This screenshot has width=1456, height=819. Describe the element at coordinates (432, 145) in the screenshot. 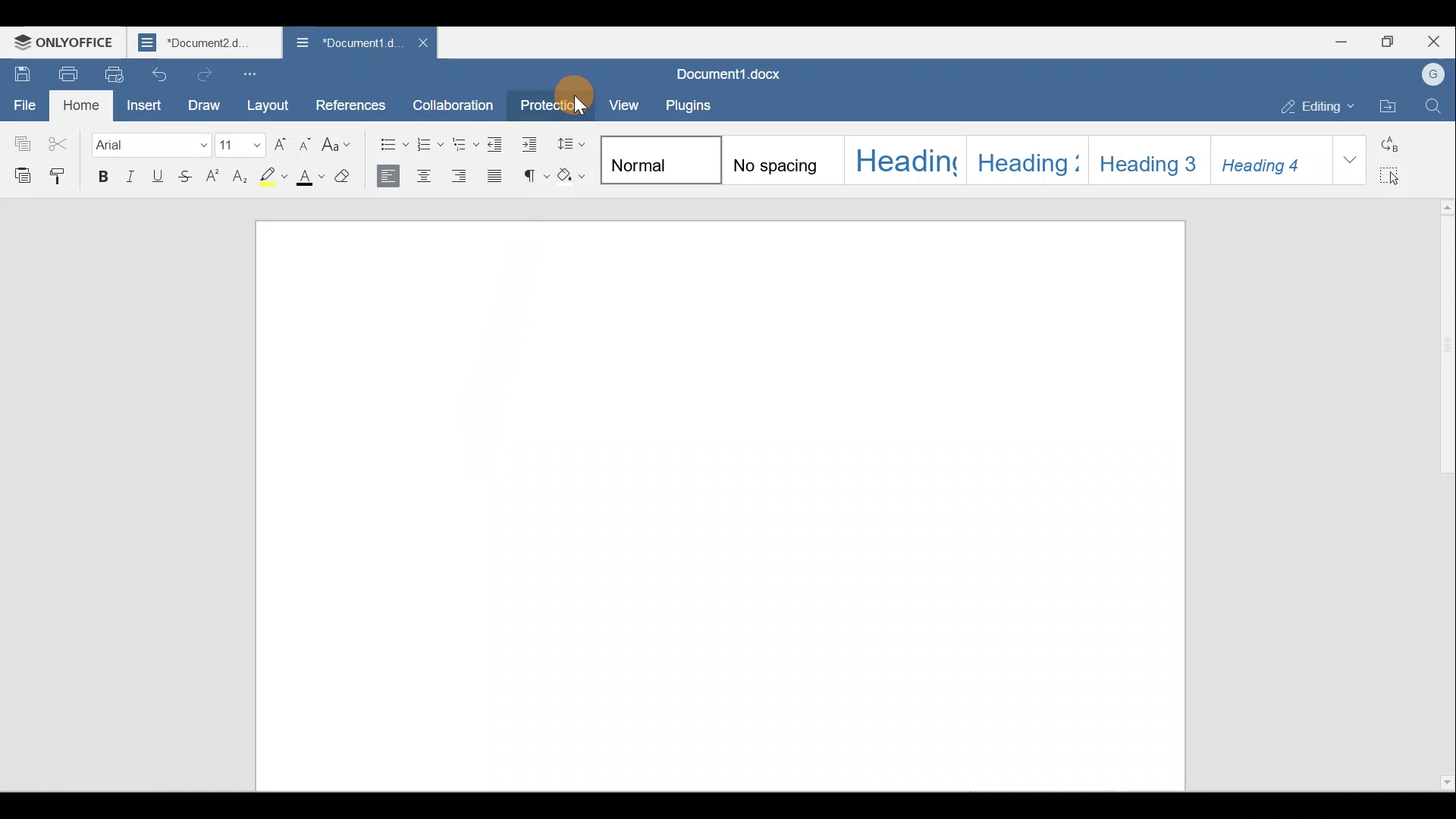

I see `Numbering` at that location.